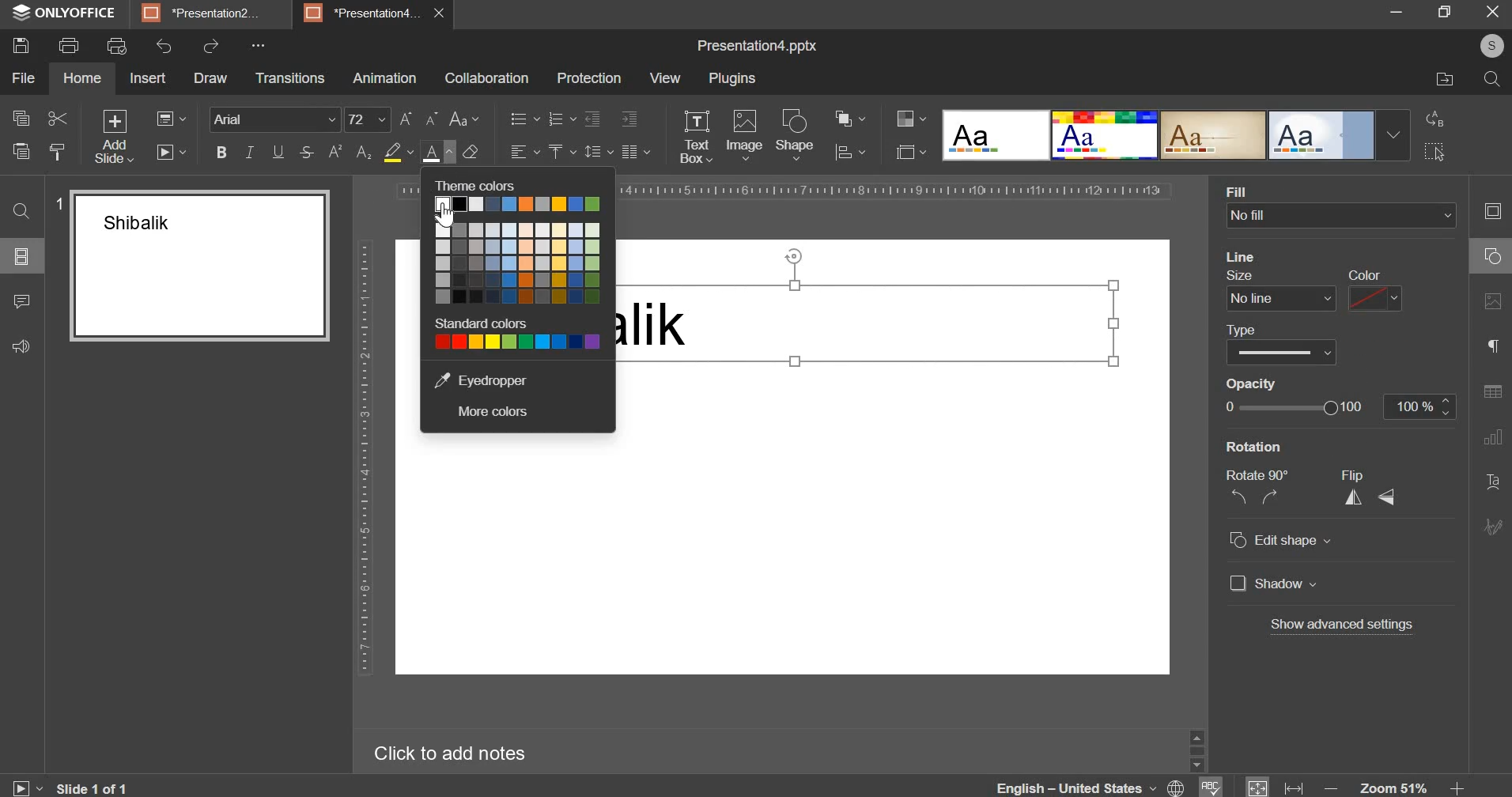 Image resolution: width=1512 pixels, height=797 pixels. I want to click on bullets, so click(524, 119).